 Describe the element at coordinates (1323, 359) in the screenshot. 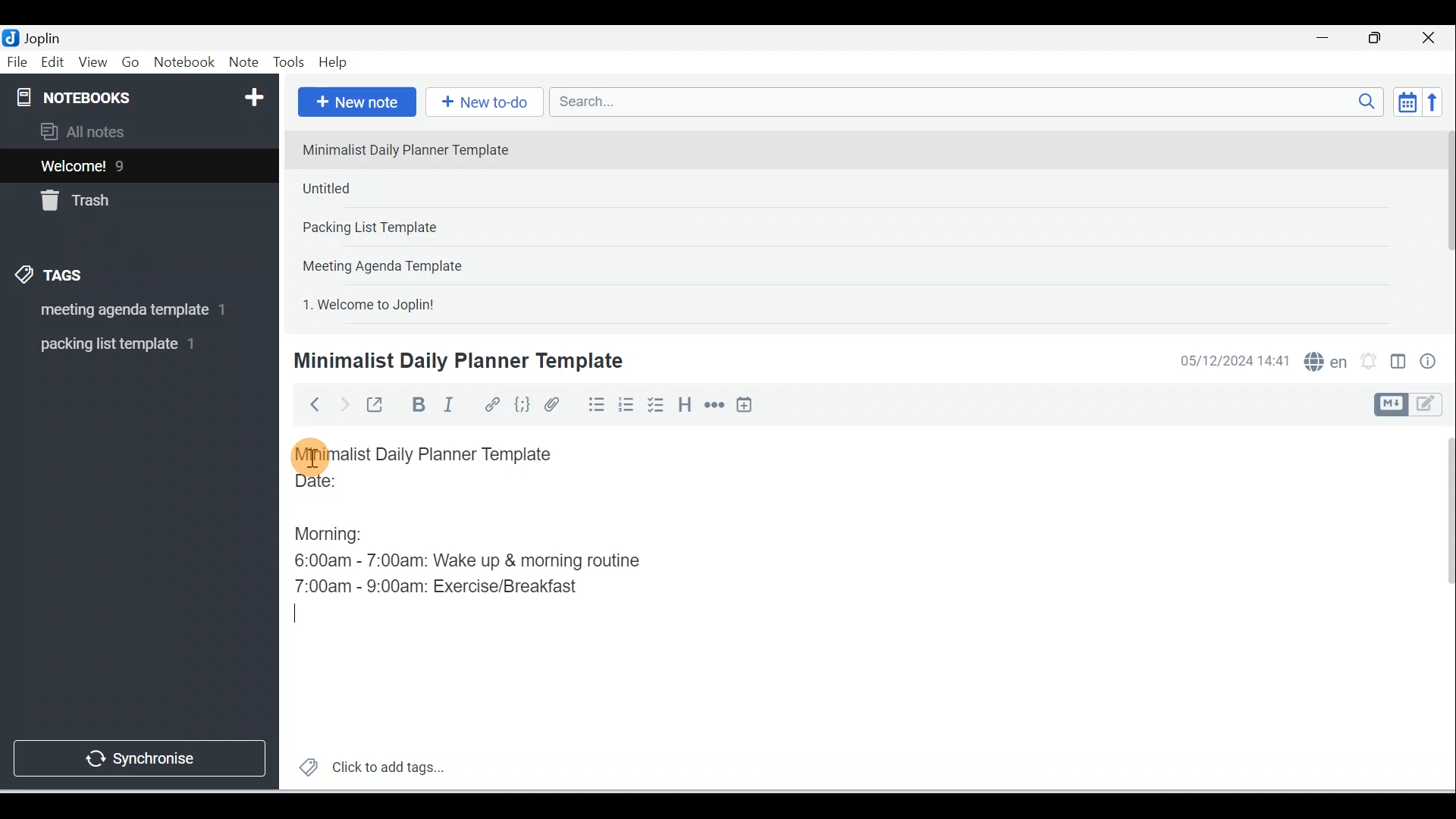

I see `Spelling` at that location.